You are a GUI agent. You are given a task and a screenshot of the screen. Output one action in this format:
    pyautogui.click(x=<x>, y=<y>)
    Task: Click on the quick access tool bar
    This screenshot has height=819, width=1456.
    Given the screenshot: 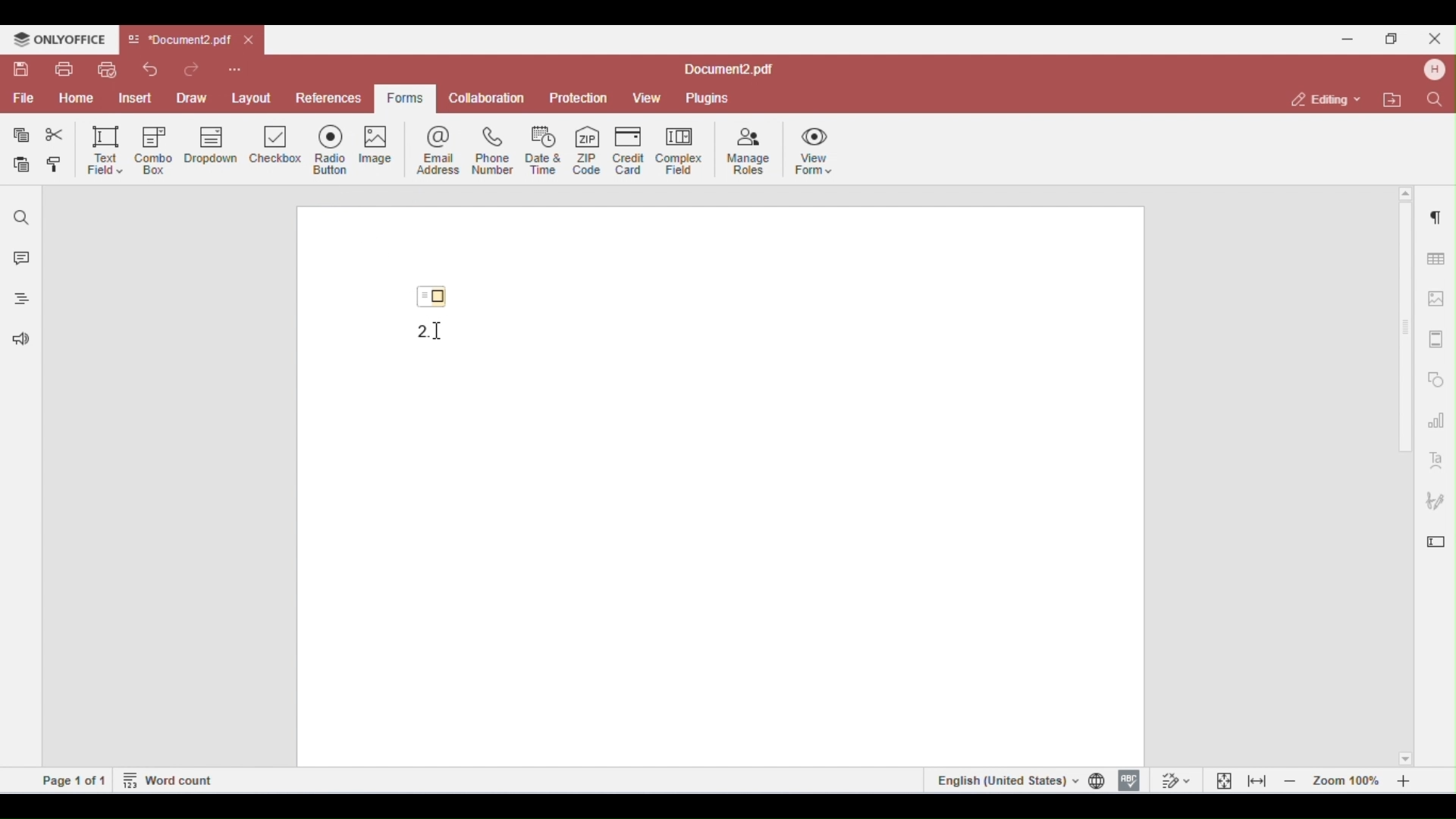 What is the action you would take?
    pyautogui.click(x=235, y=67)
    